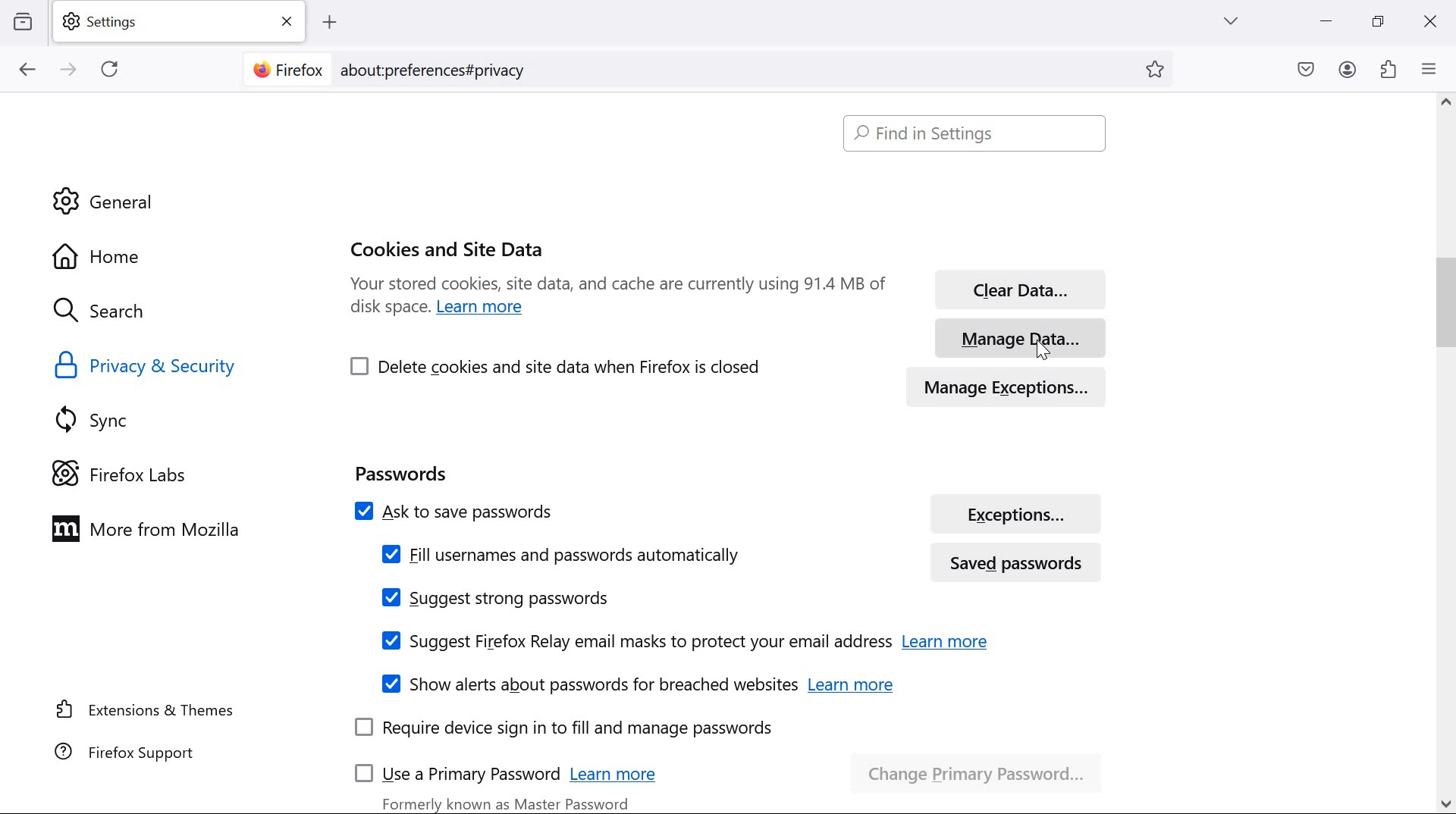 The image size is (1456, 814). Describe the element at coordinates (71, 70) in the screenshot. I see `go forward one page` at that location.